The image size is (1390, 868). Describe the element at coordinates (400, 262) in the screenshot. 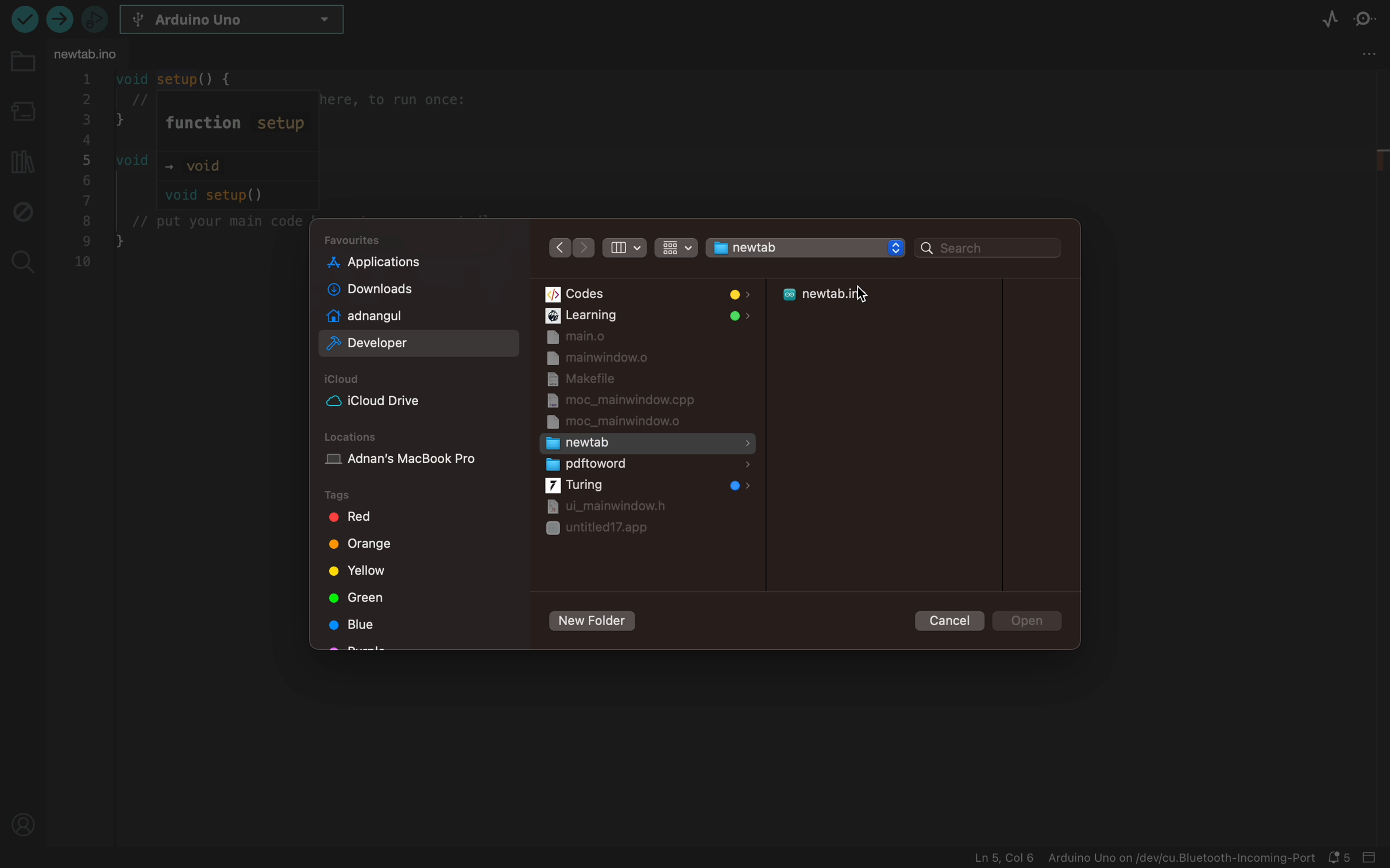

I see `applications` at that location.